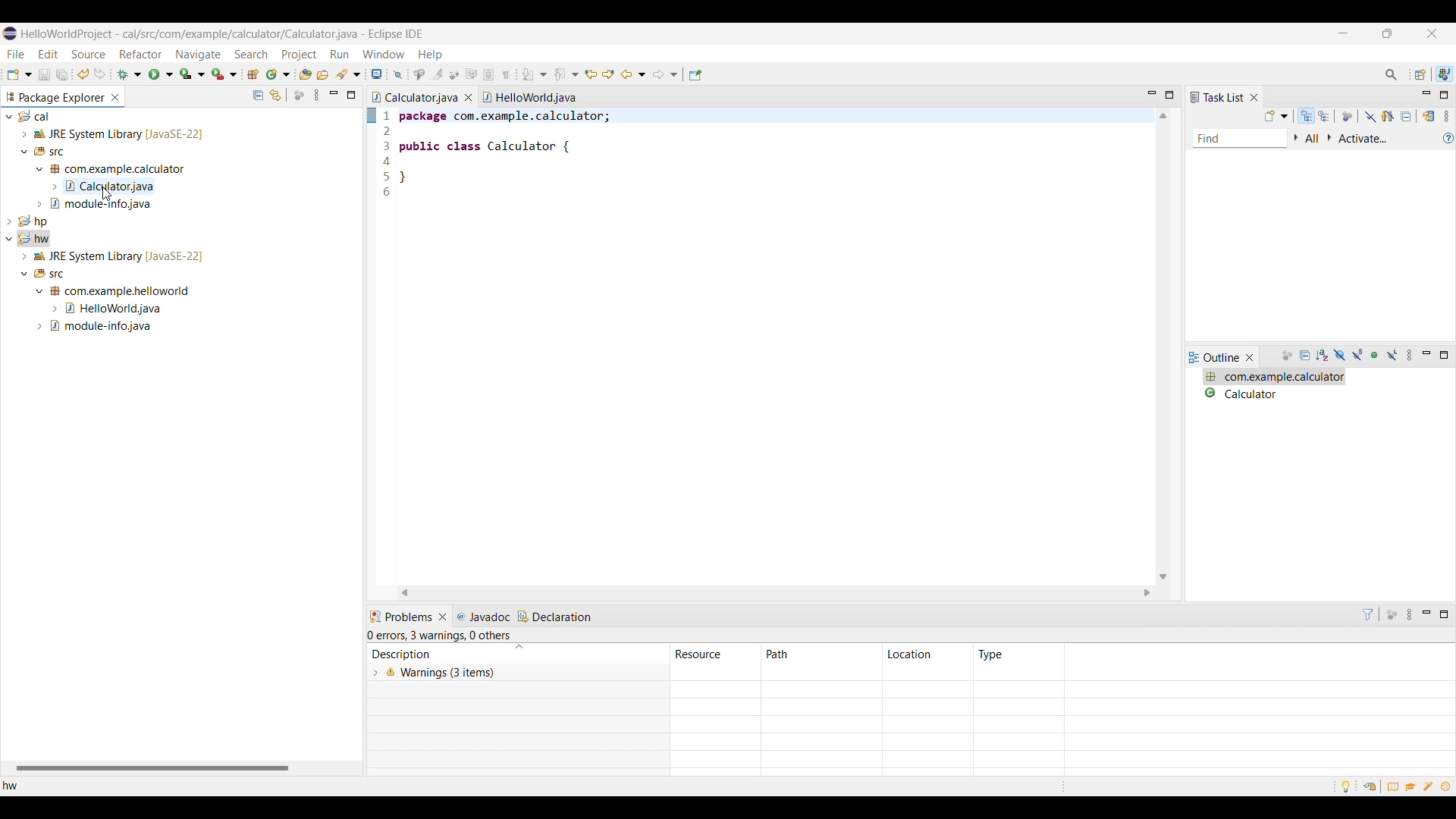  Describe the element at coordinates (485, 617) in the screenshot. I see `Javadoc tab` at that location.